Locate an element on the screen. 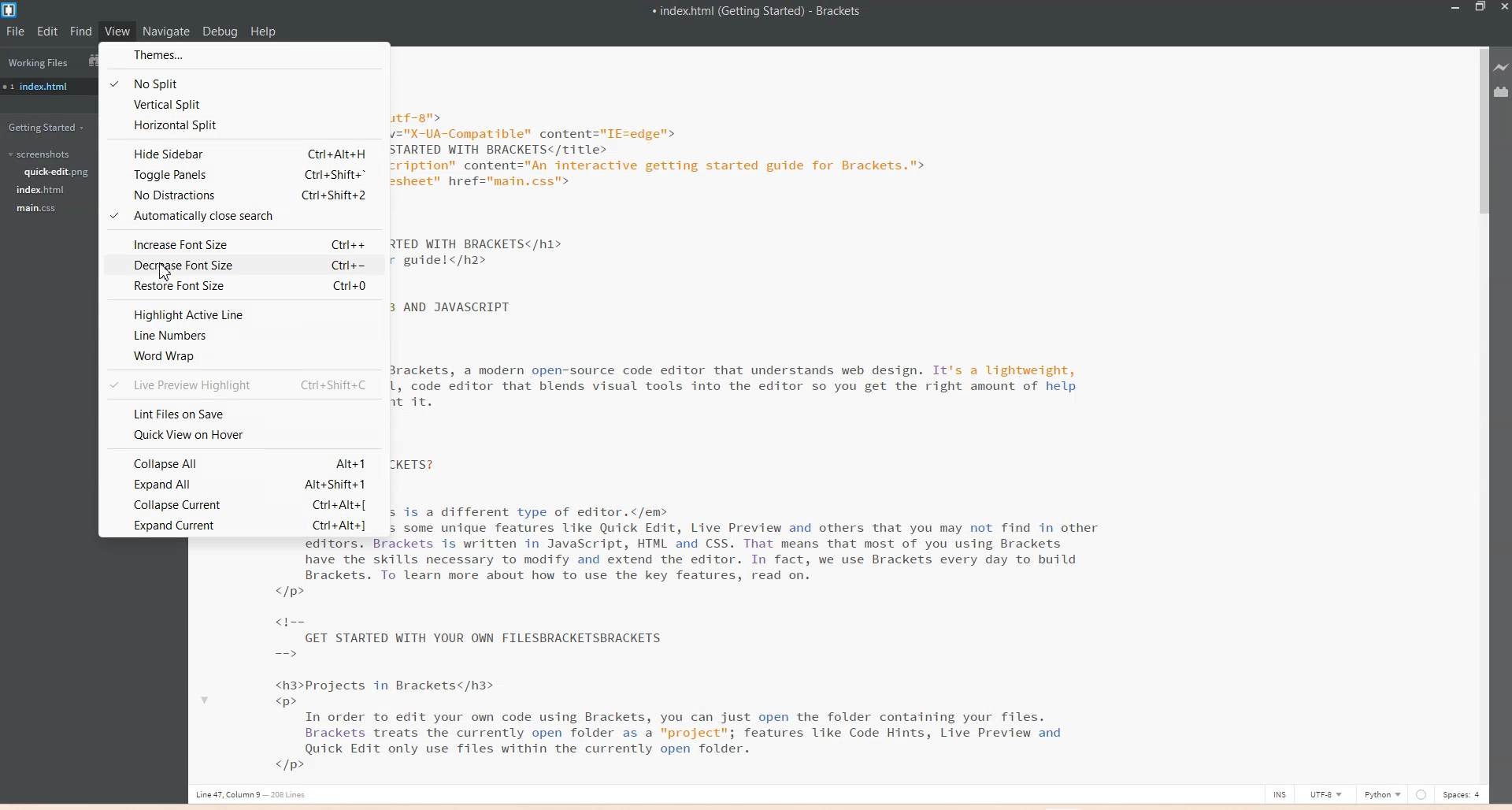 The height and width of the screenshot is (810, 1512). Automatically close search is located at coordinates (244, 217).